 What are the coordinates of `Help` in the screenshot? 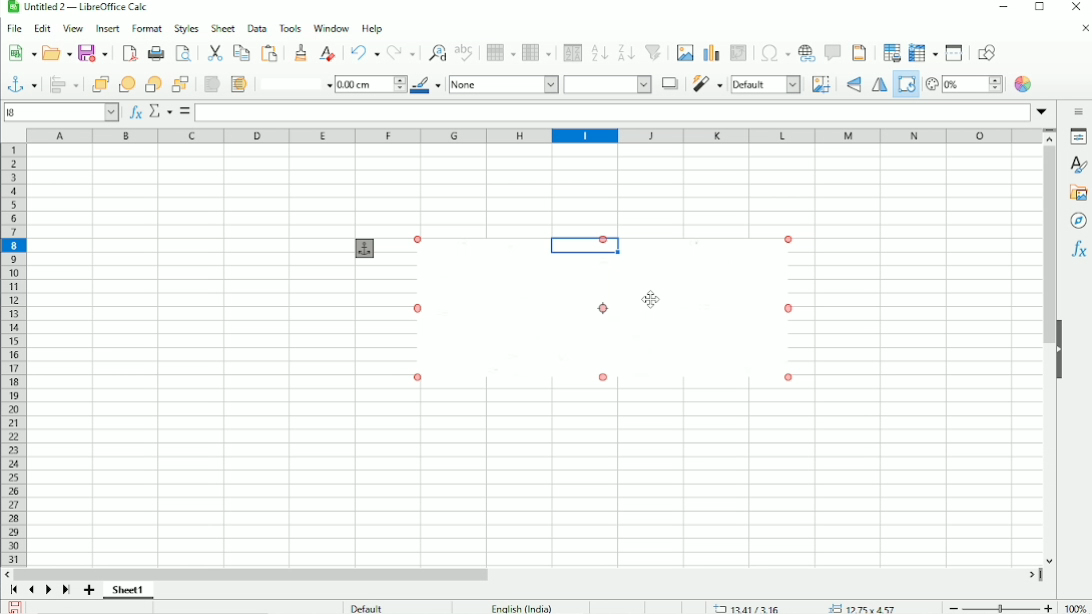 It's located at (373, 27).